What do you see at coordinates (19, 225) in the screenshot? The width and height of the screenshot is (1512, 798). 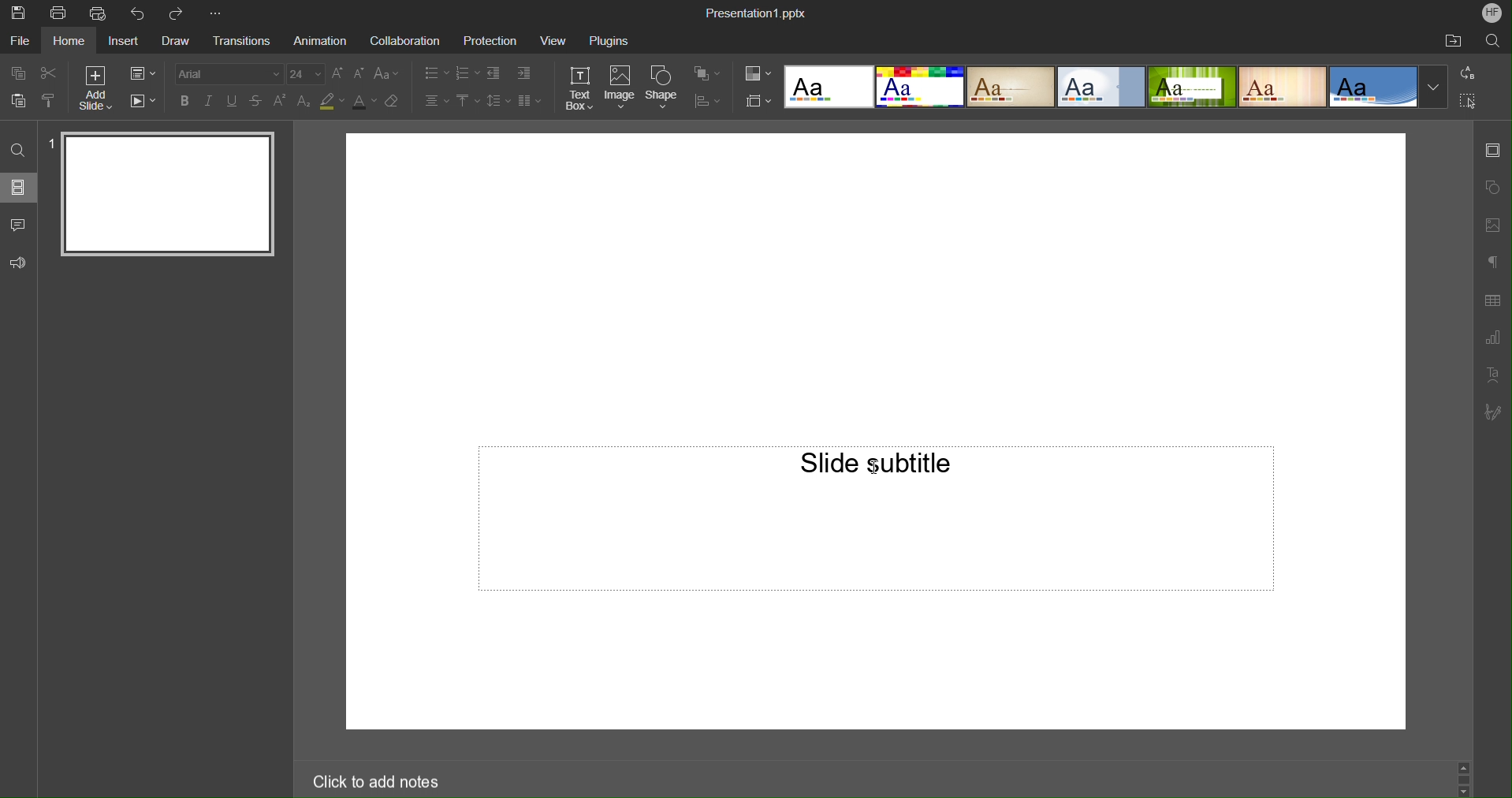 I see `Comment` at bounding box center [19, 225].